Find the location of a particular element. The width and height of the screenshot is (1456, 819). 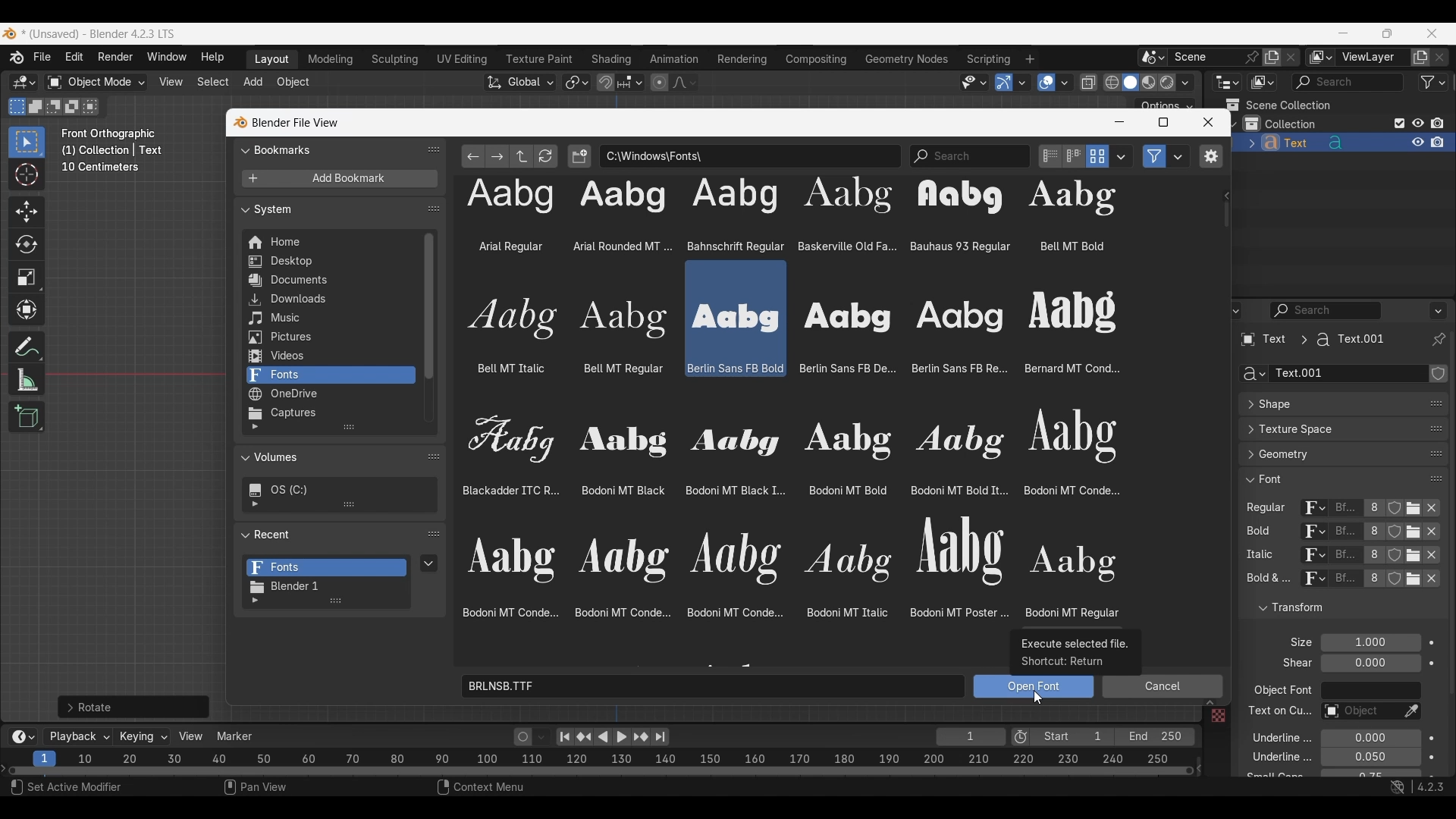

Editor type is located at coordinates (1227, 82).